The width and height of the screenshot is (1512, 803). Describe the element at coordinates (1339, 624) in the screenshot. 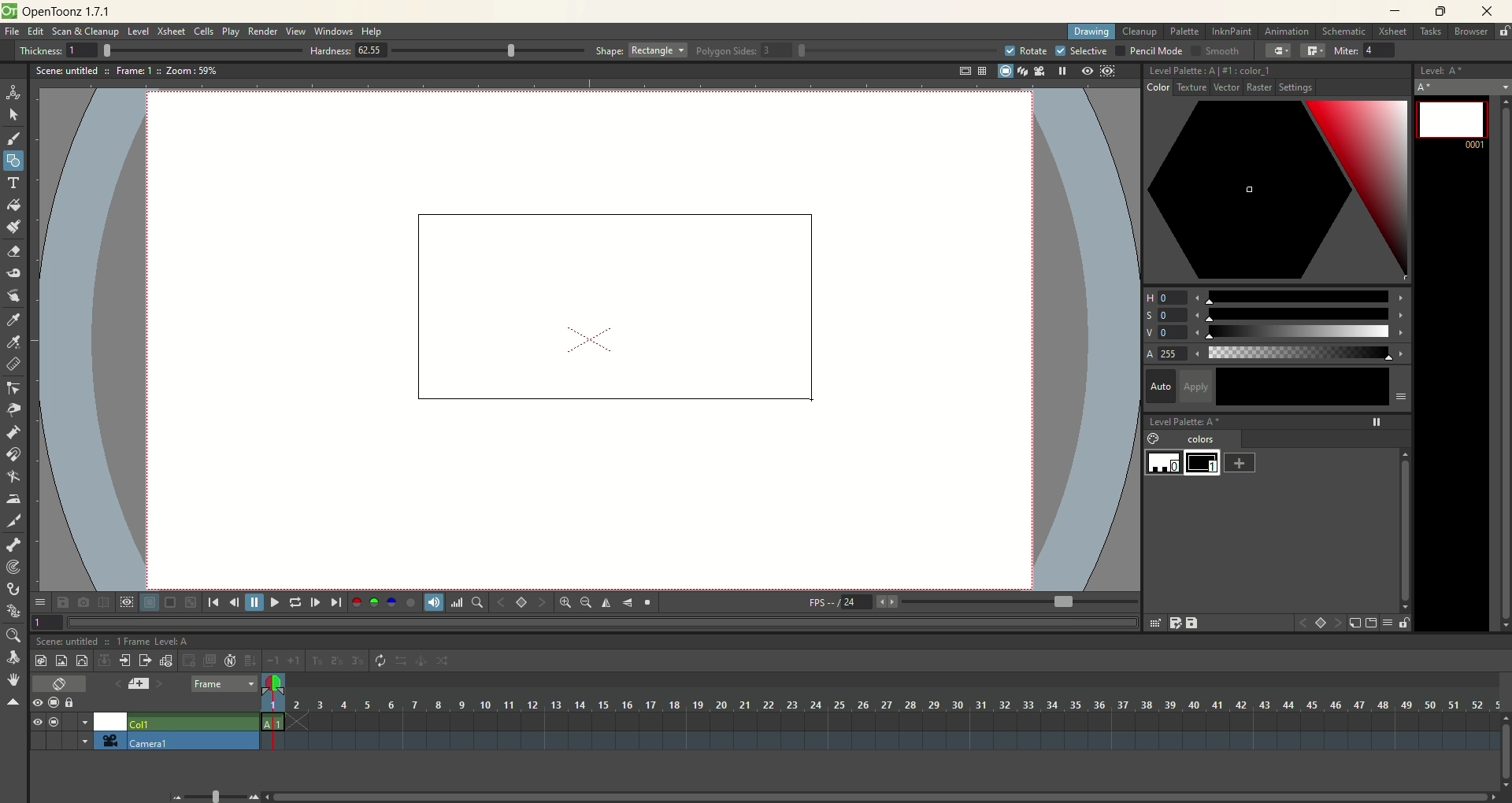

I see `next key` at that location.